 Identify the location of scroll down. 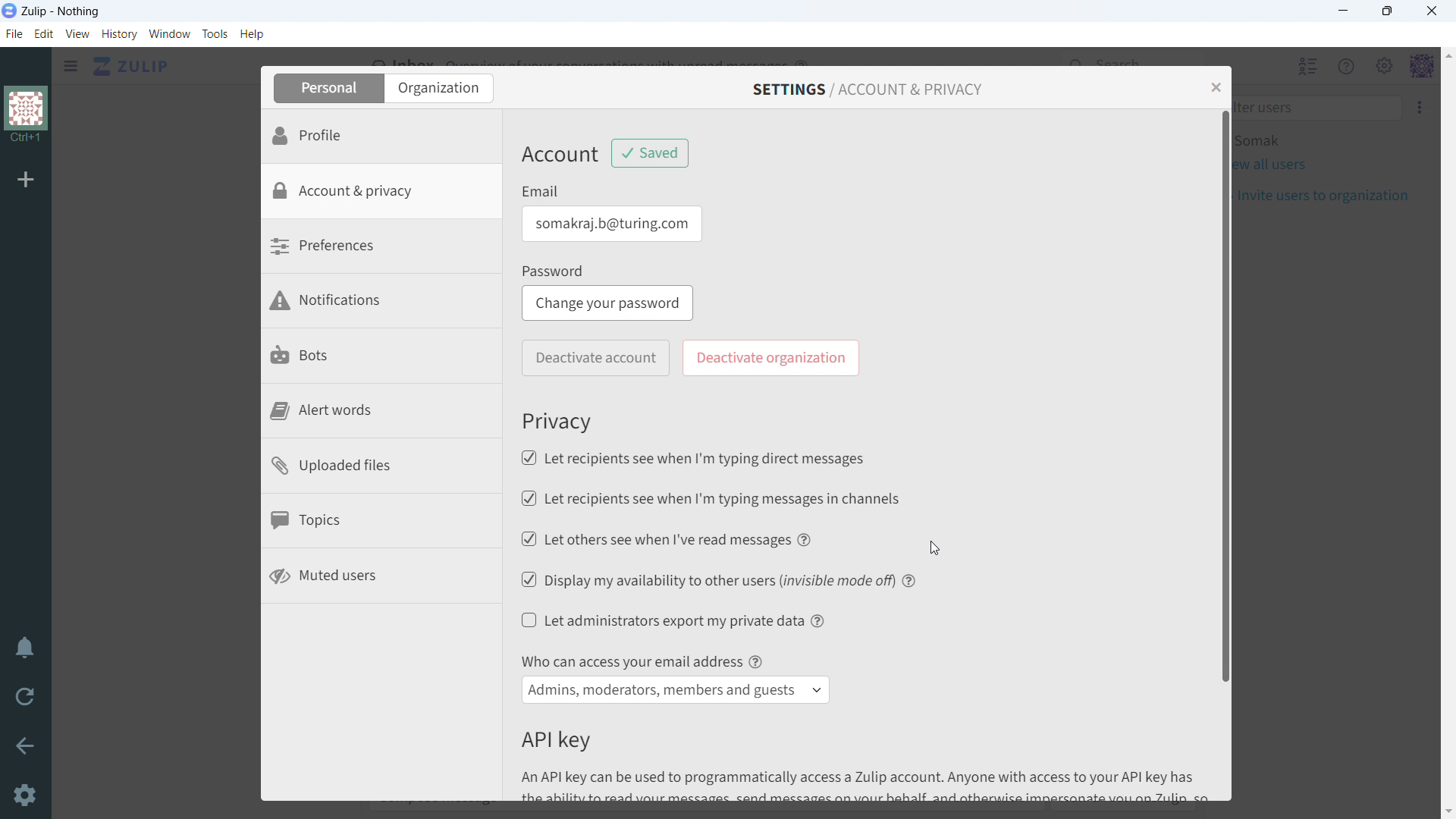
(1447, 810).